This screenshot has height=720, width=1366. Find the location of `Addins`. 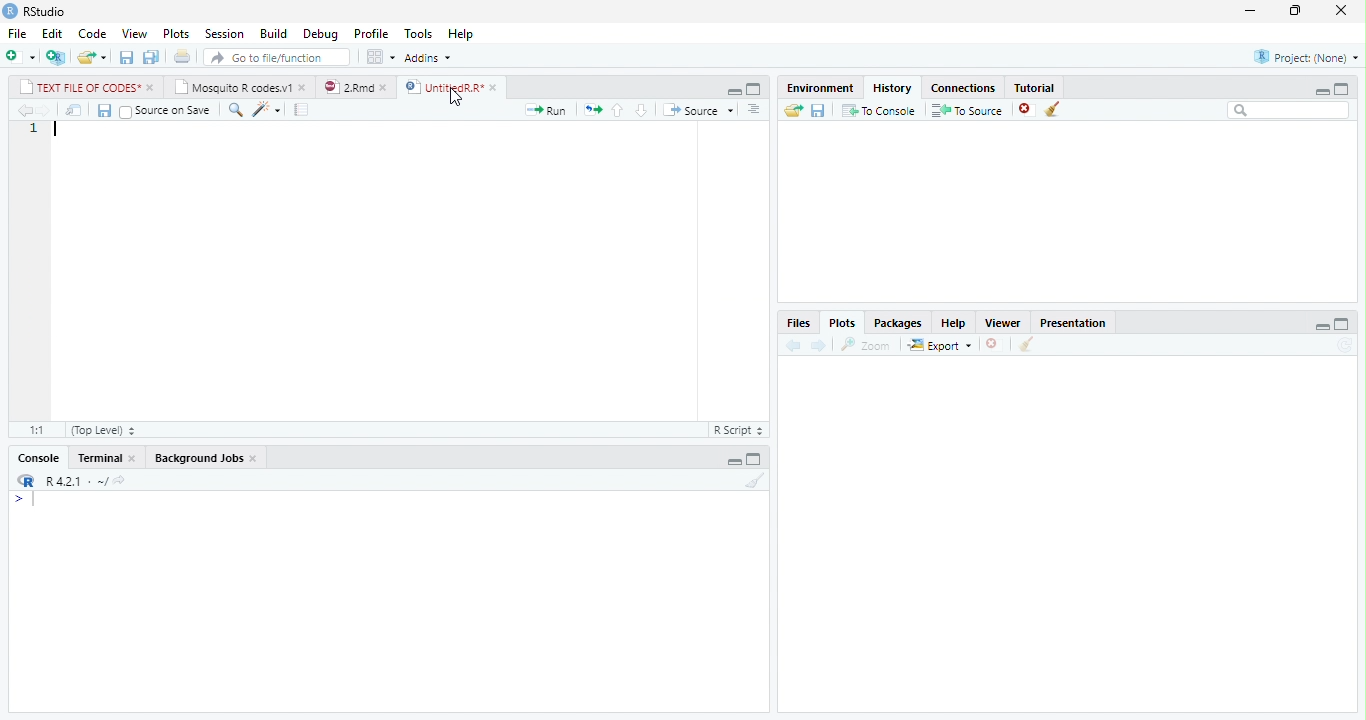

Addins is located at coordinates (428, 58).